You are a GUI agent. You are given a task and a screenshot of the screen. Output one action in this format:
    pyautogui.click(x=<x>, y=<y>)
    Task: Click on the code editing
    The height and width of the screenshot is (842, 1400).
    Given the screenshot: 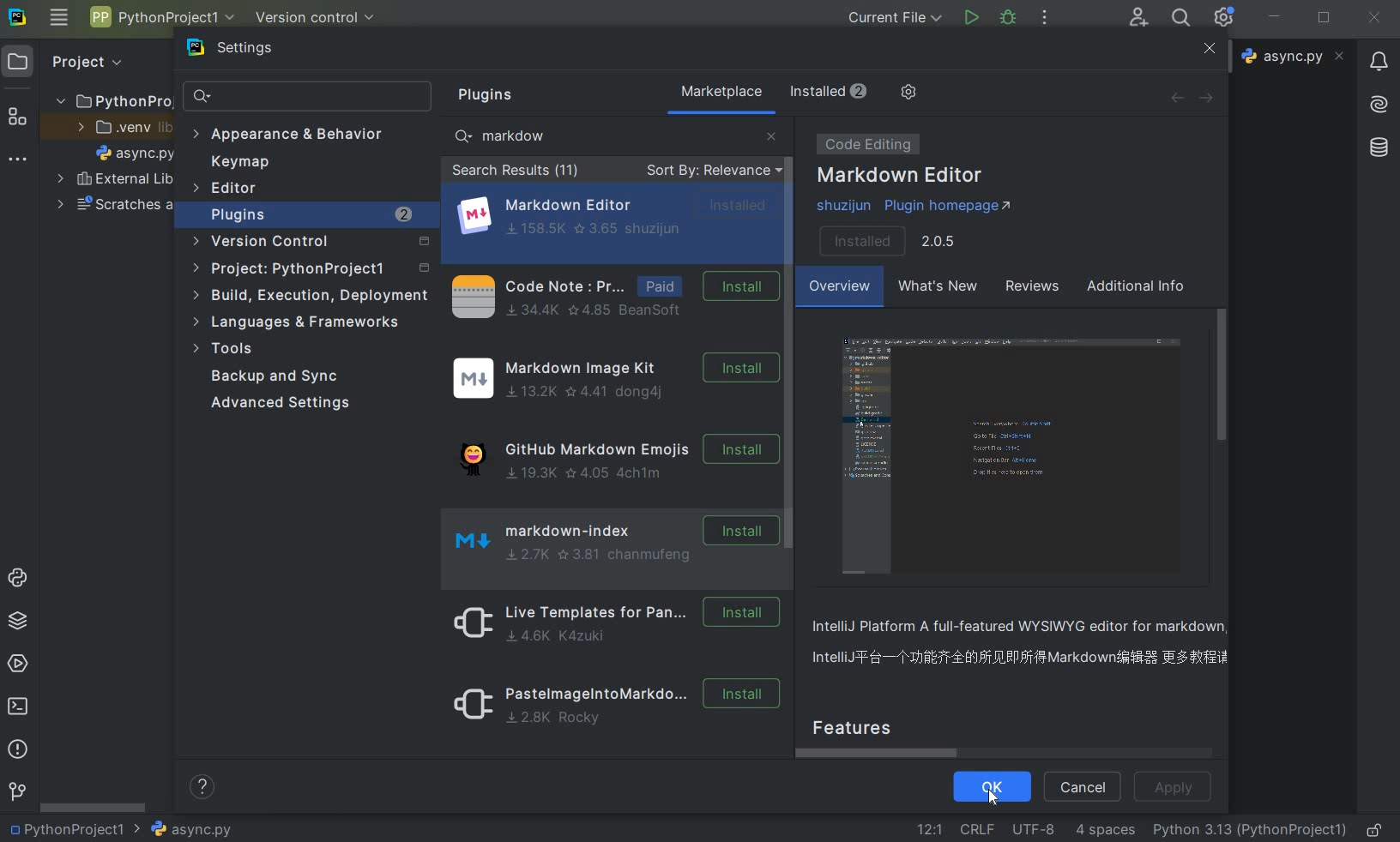 What is the action you would take?
    pyautogui.click(x=865, y=144)
    